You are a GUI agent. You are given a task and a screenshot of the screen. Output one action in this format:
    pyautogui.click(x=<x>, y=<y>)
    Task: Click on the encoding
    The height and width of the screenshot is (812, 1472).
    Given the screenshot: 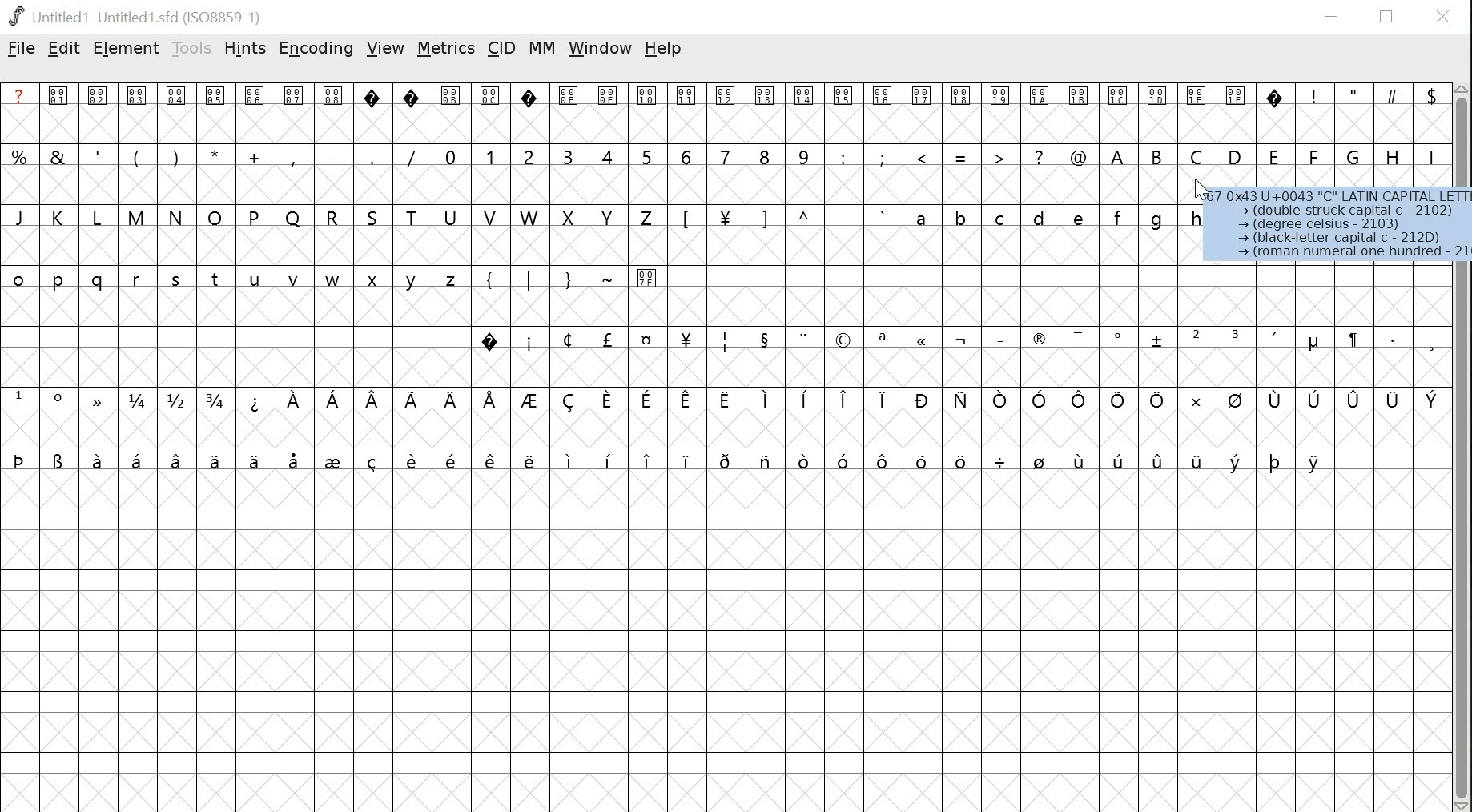 What is the action you would take?
    pyautogui.click(x=315, y=50)
    